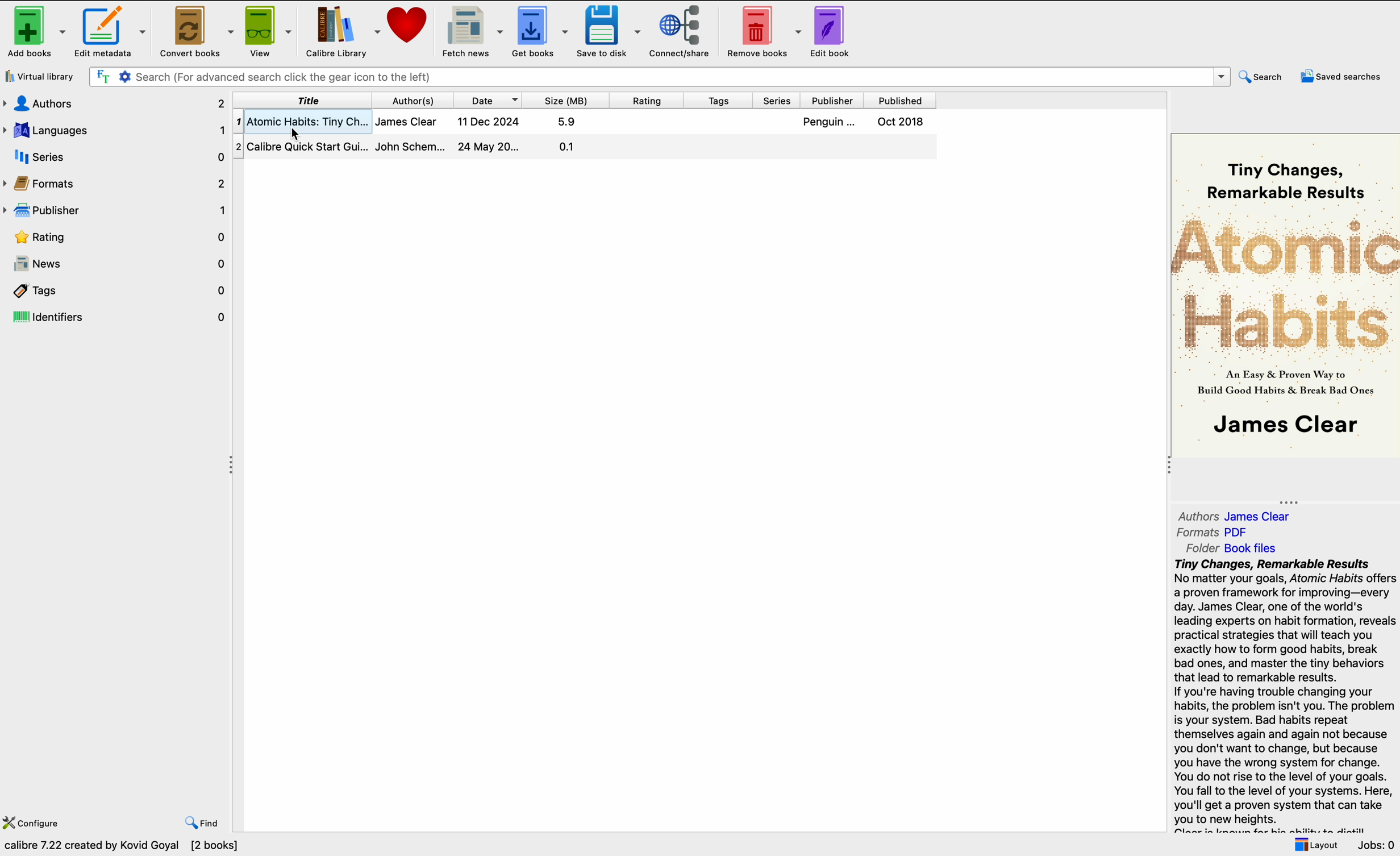  Describe the element at coordinates (203, 824) in the screenshot. I see `find` at that location.